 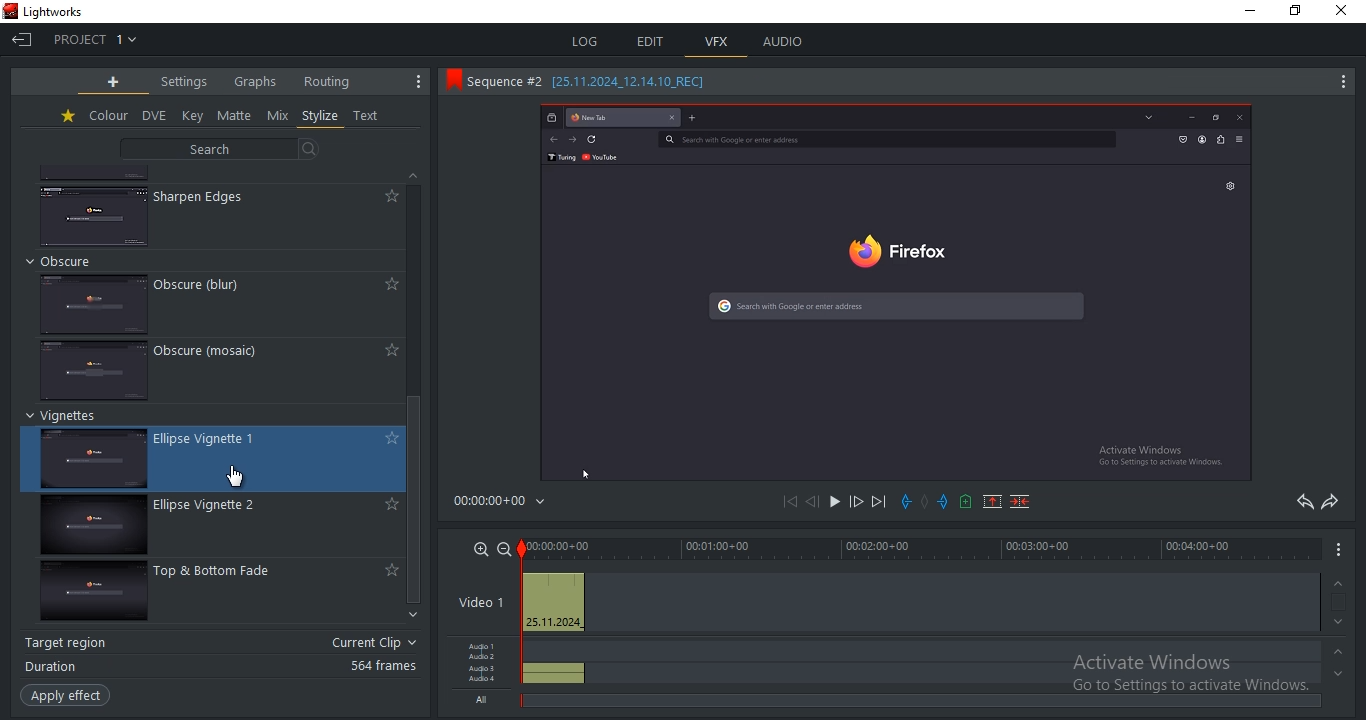 What do you see at coordinates (66, 118) in the screenshot?
I see `Favorites` at bounding box center [66, 118].